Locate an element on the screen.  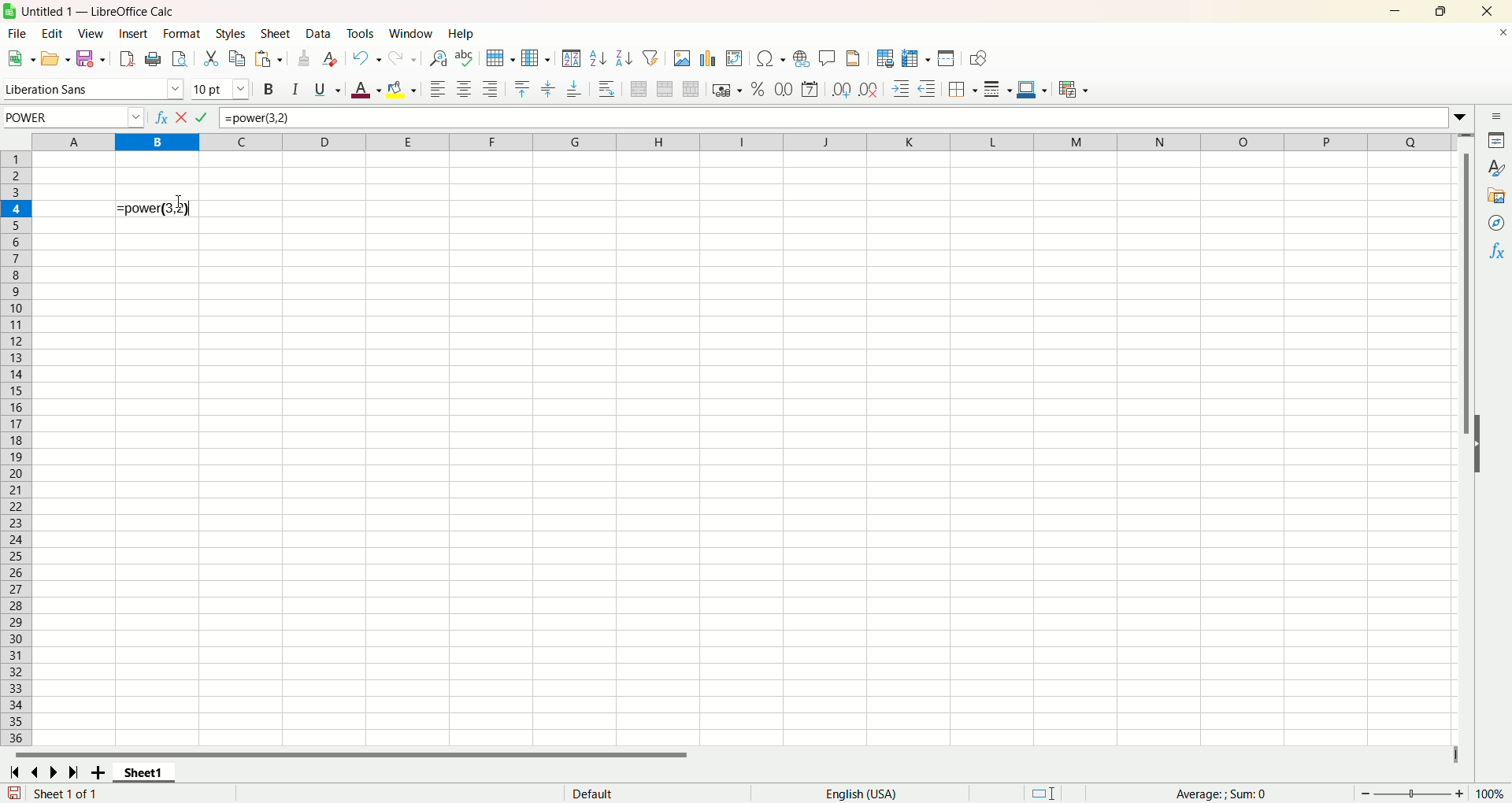
undo is located at coordinates (368, 58).